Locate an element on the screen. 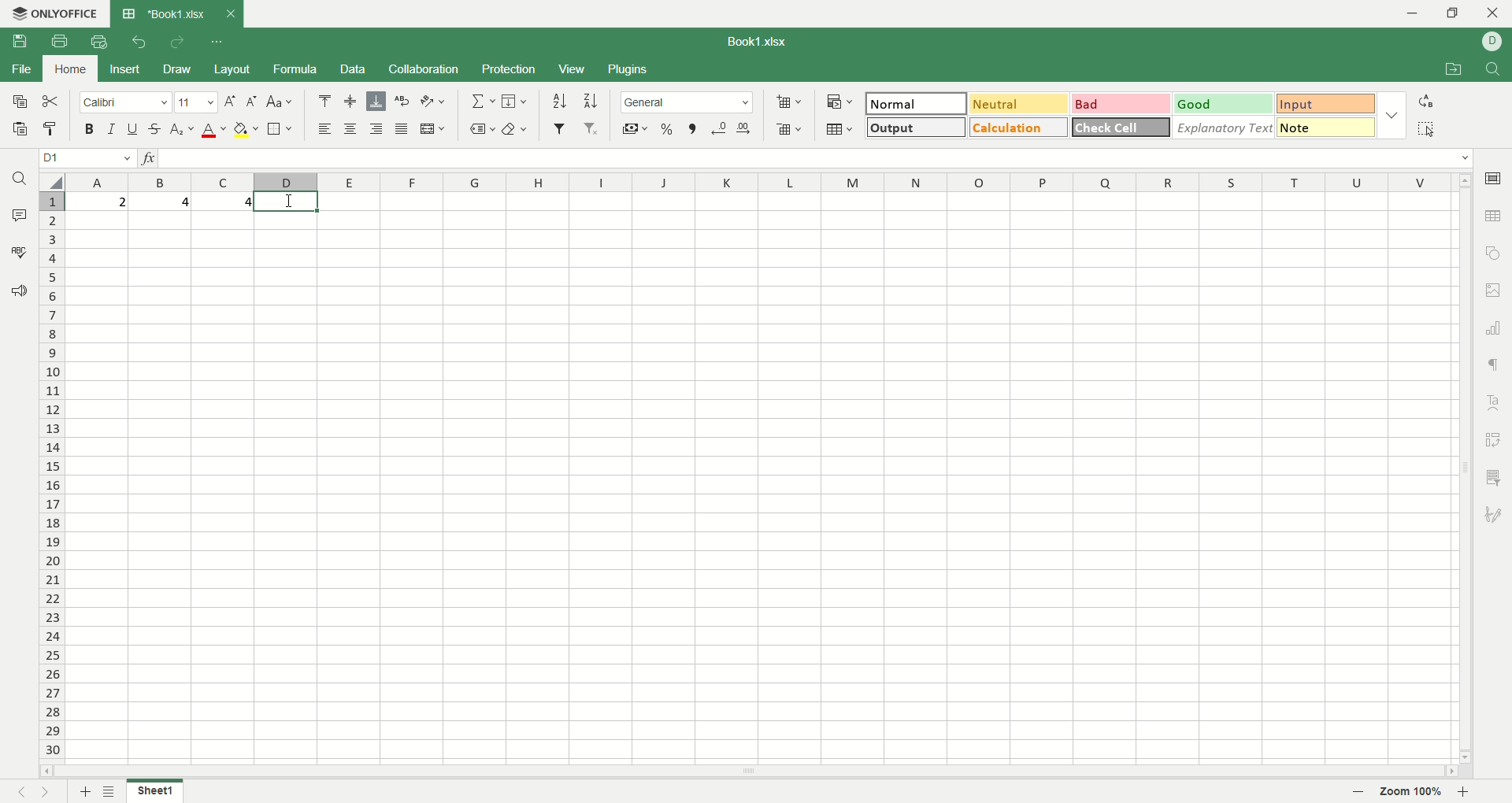 This screenshot has height=803, width=1512. add cell is located at coordinates (787, 102).